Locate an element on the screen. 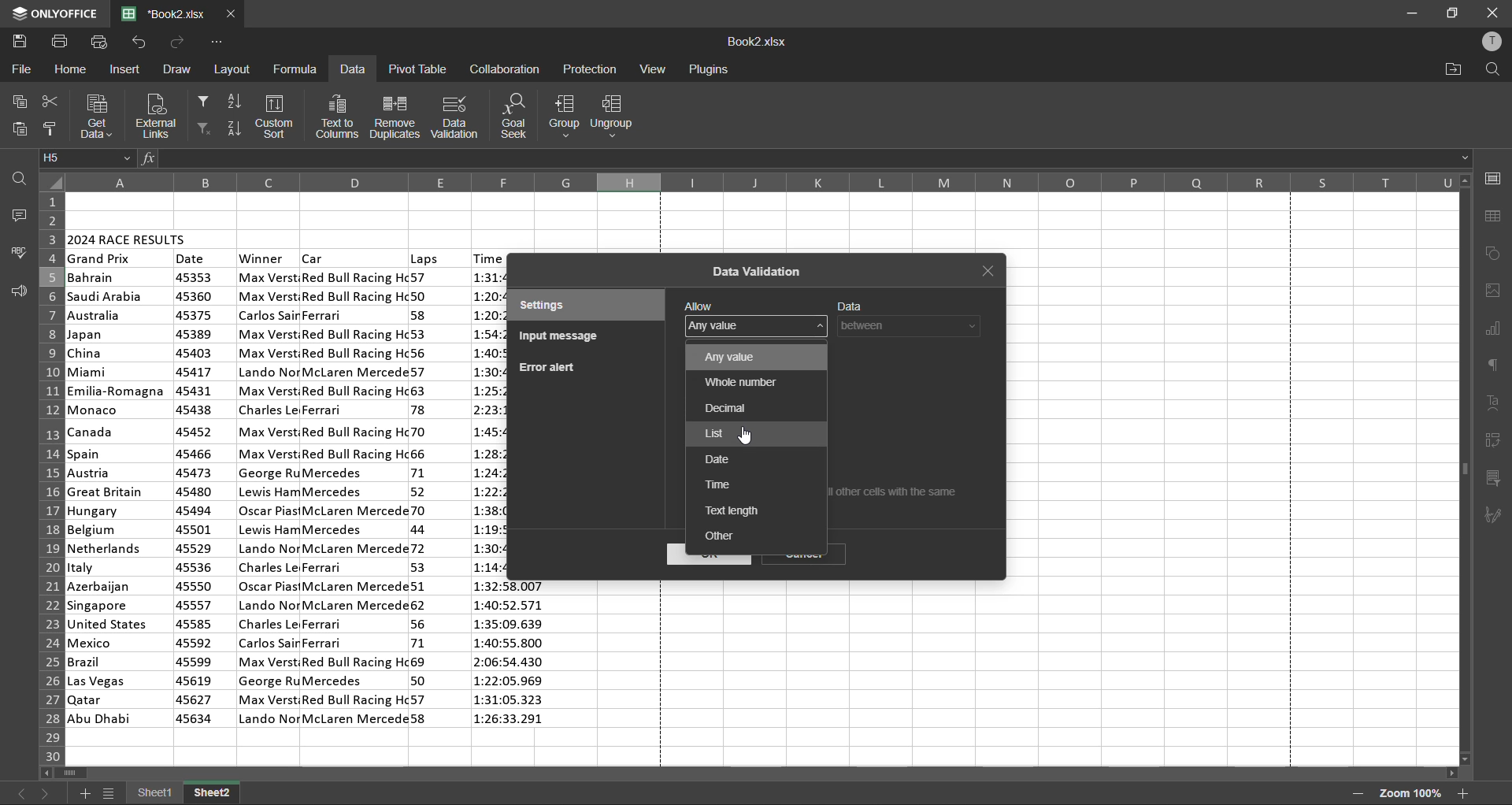  time is located at coordinates (719, 484).